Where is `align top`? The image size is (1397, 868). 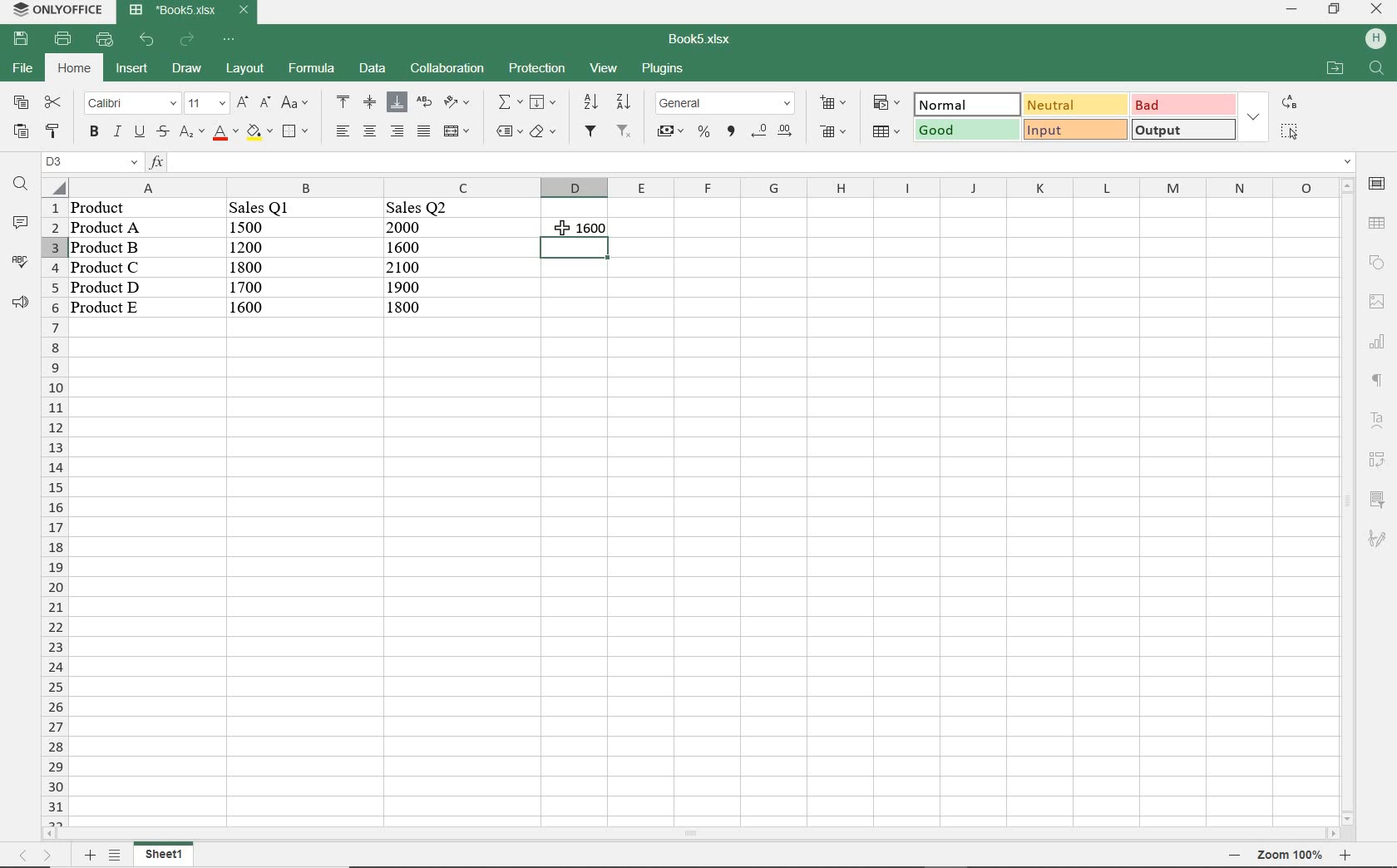 align top is located at coordinates (340, 102).